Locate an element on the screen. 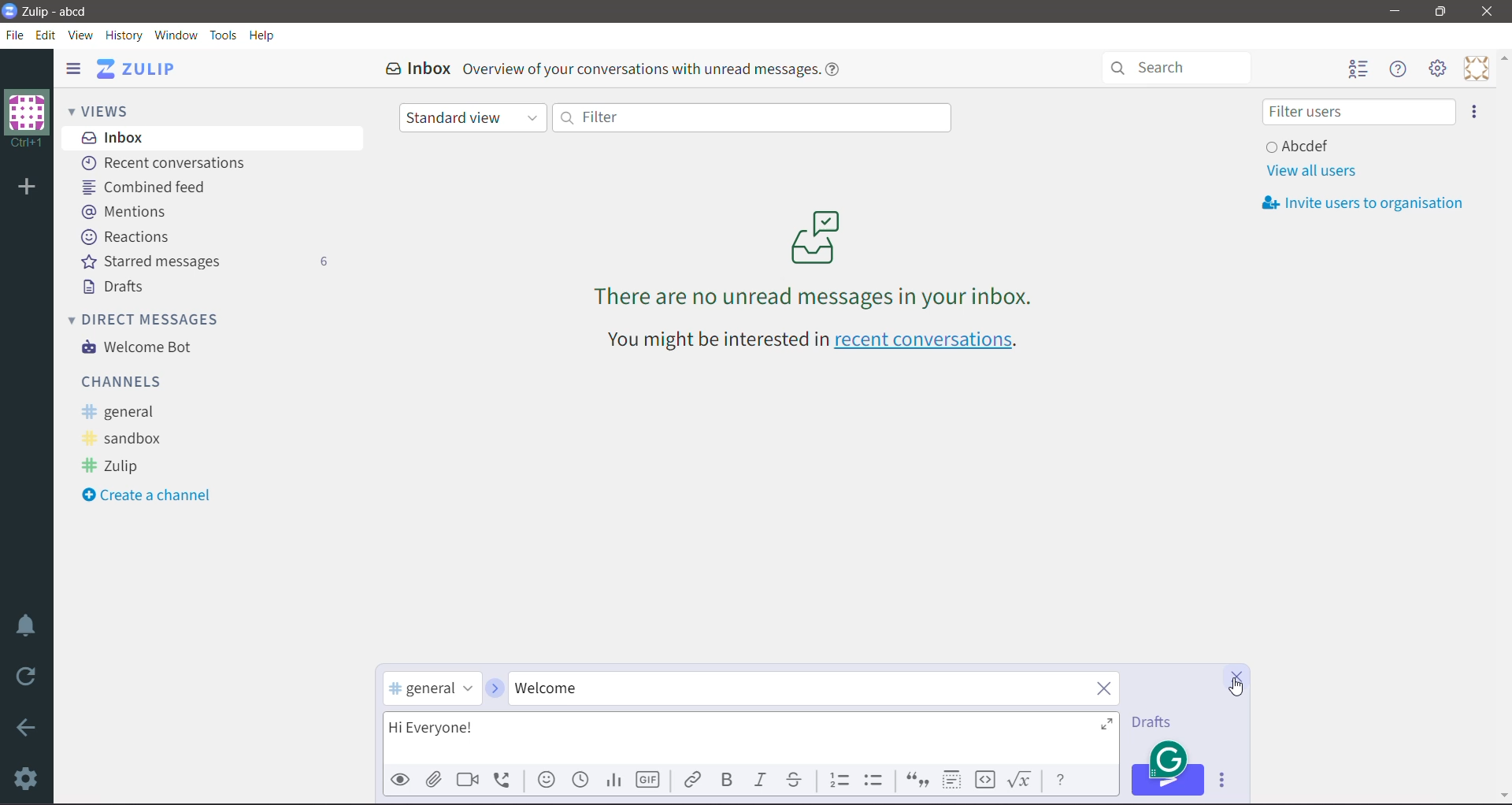 The width and height of the screenshot is (1512, 805). Inbox is located at coordinates (213, 137).